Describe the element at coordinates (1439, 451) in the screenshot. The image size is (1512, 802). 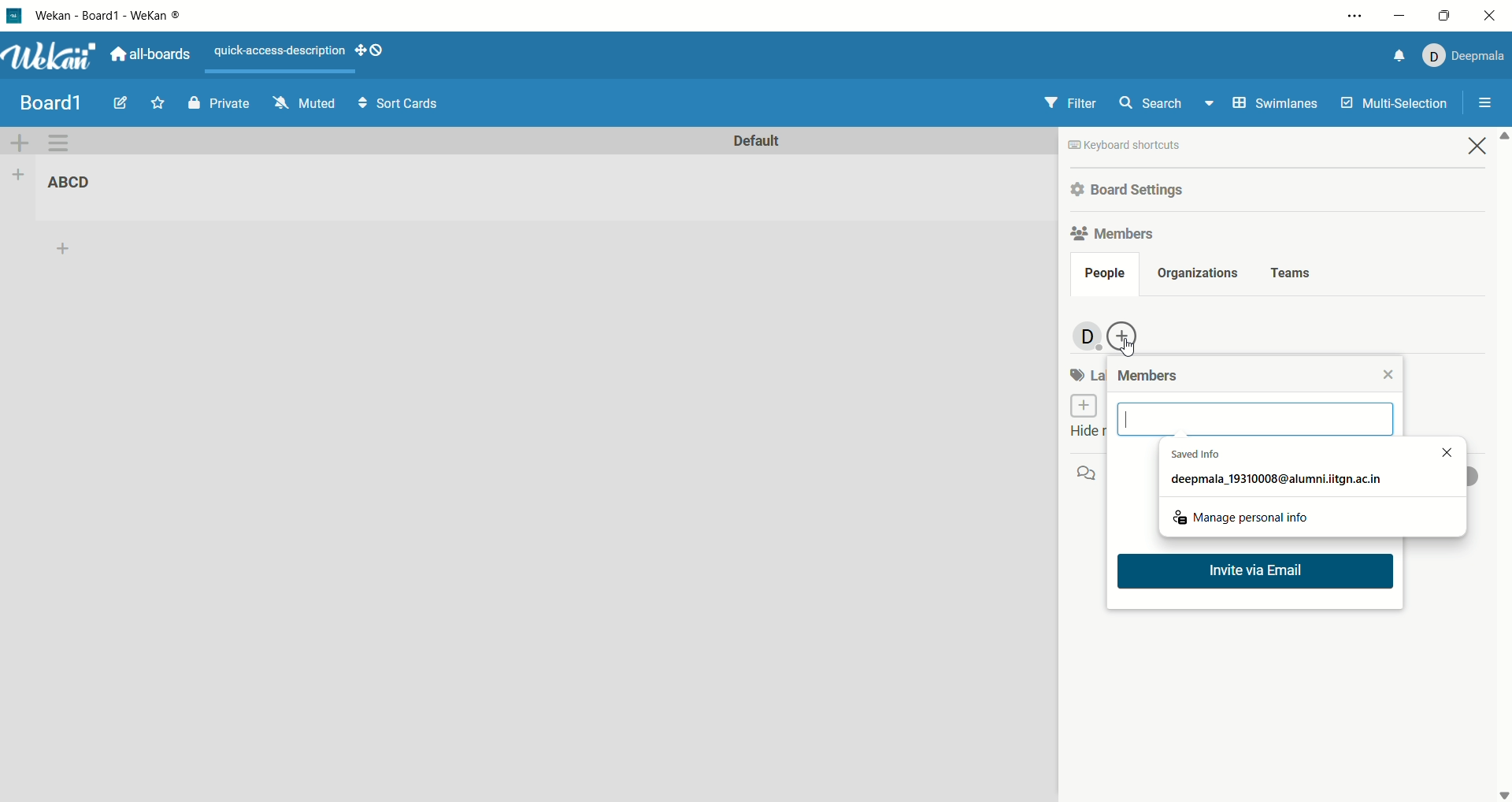
I see `close` at that location.